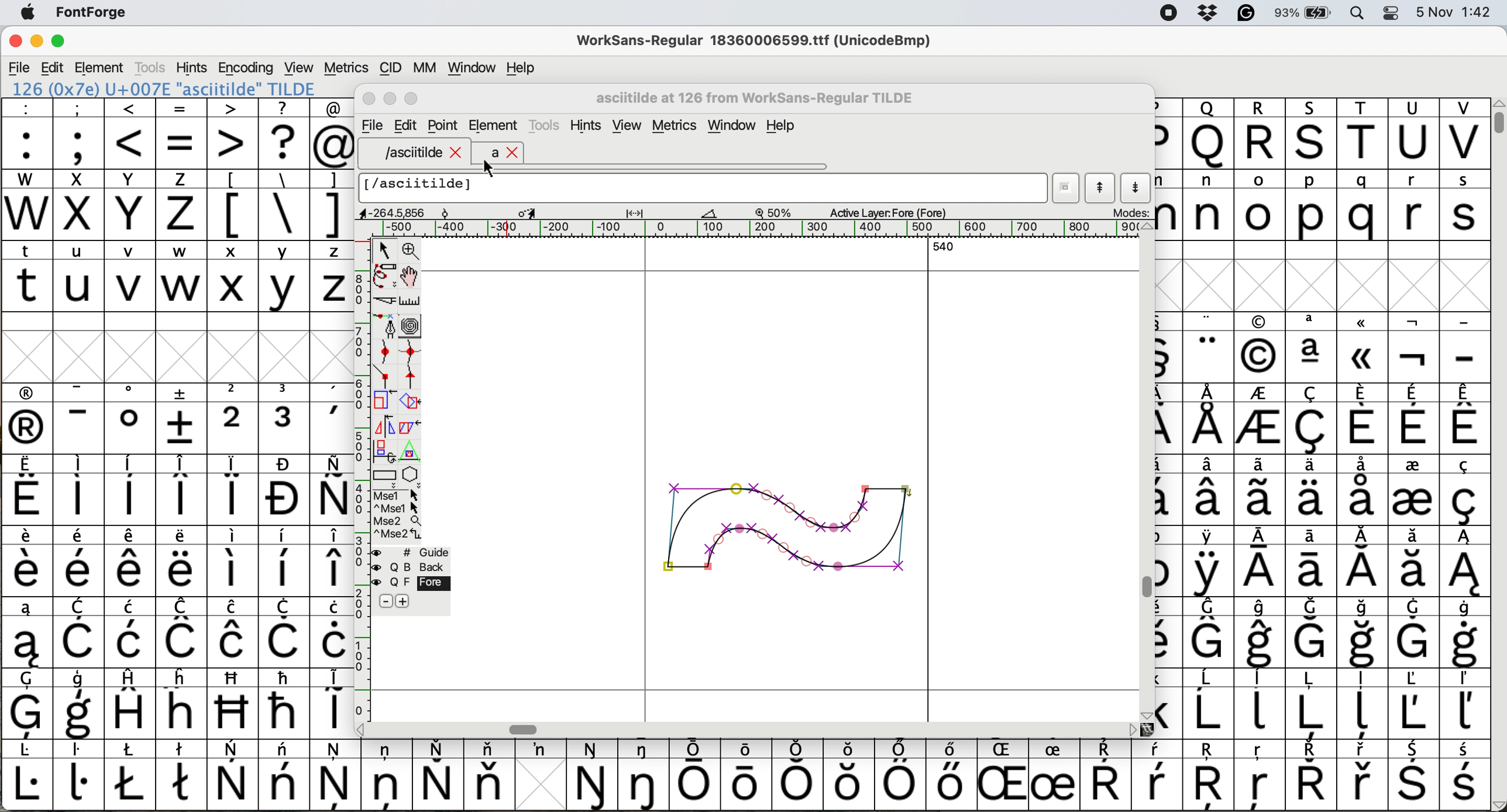 Image resolution: width=1507 pixels, height=812 pixels. I want to click on Vertical scroll bar, so click(1147, 586).